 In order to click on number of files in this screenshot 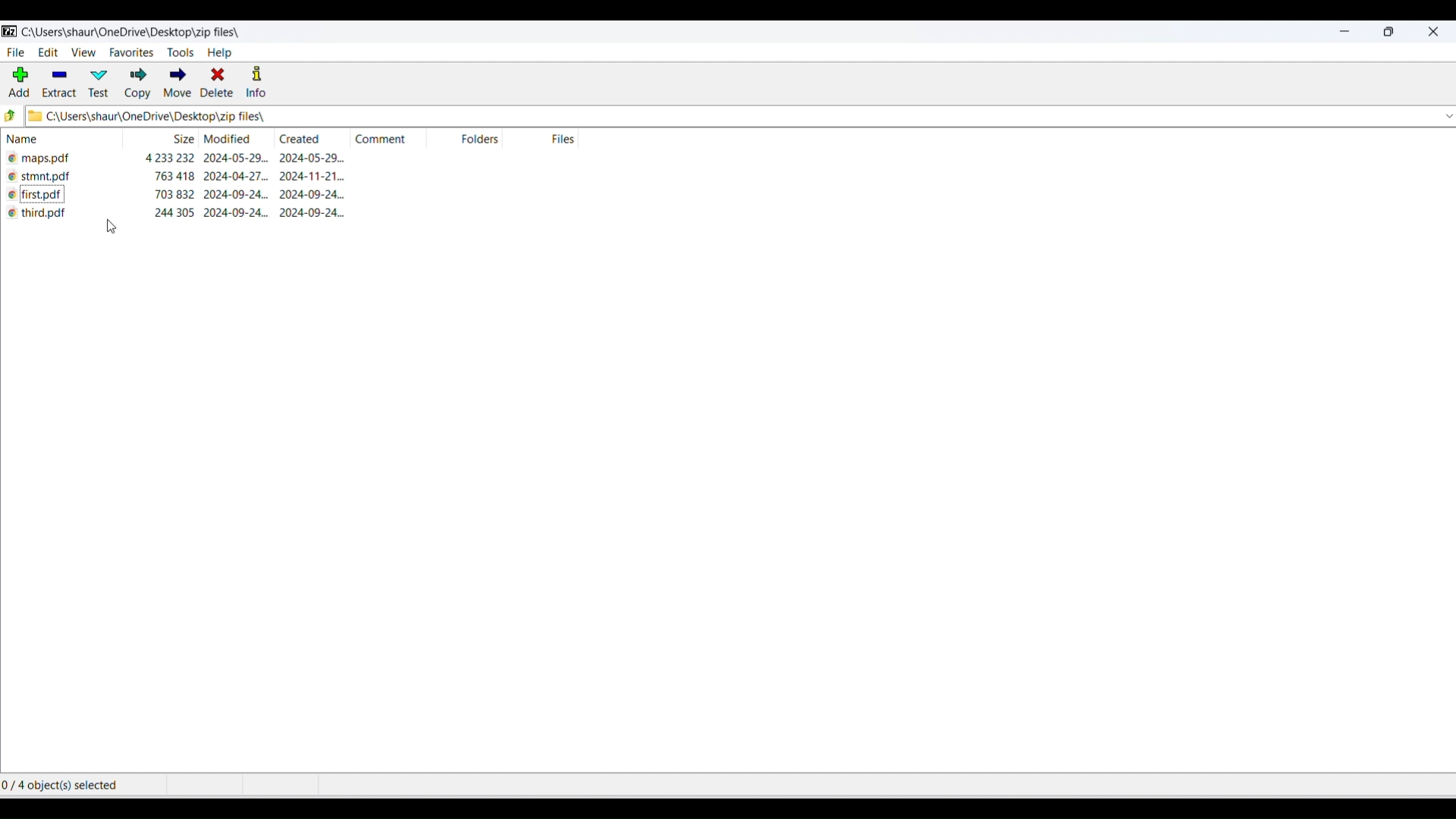, I will do `click(566, 140)`.